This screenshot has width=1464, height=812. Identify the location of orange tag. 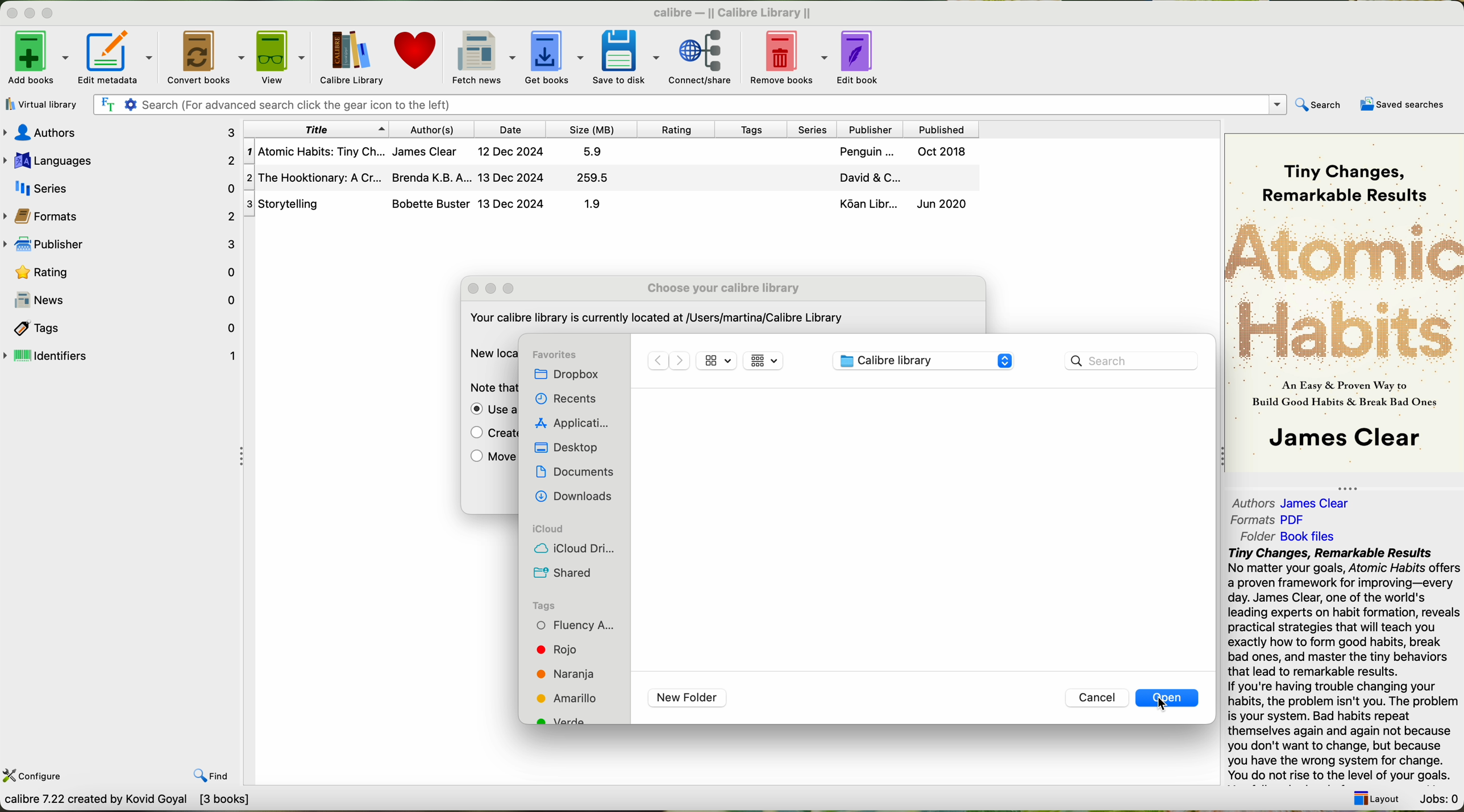
(582, 676).